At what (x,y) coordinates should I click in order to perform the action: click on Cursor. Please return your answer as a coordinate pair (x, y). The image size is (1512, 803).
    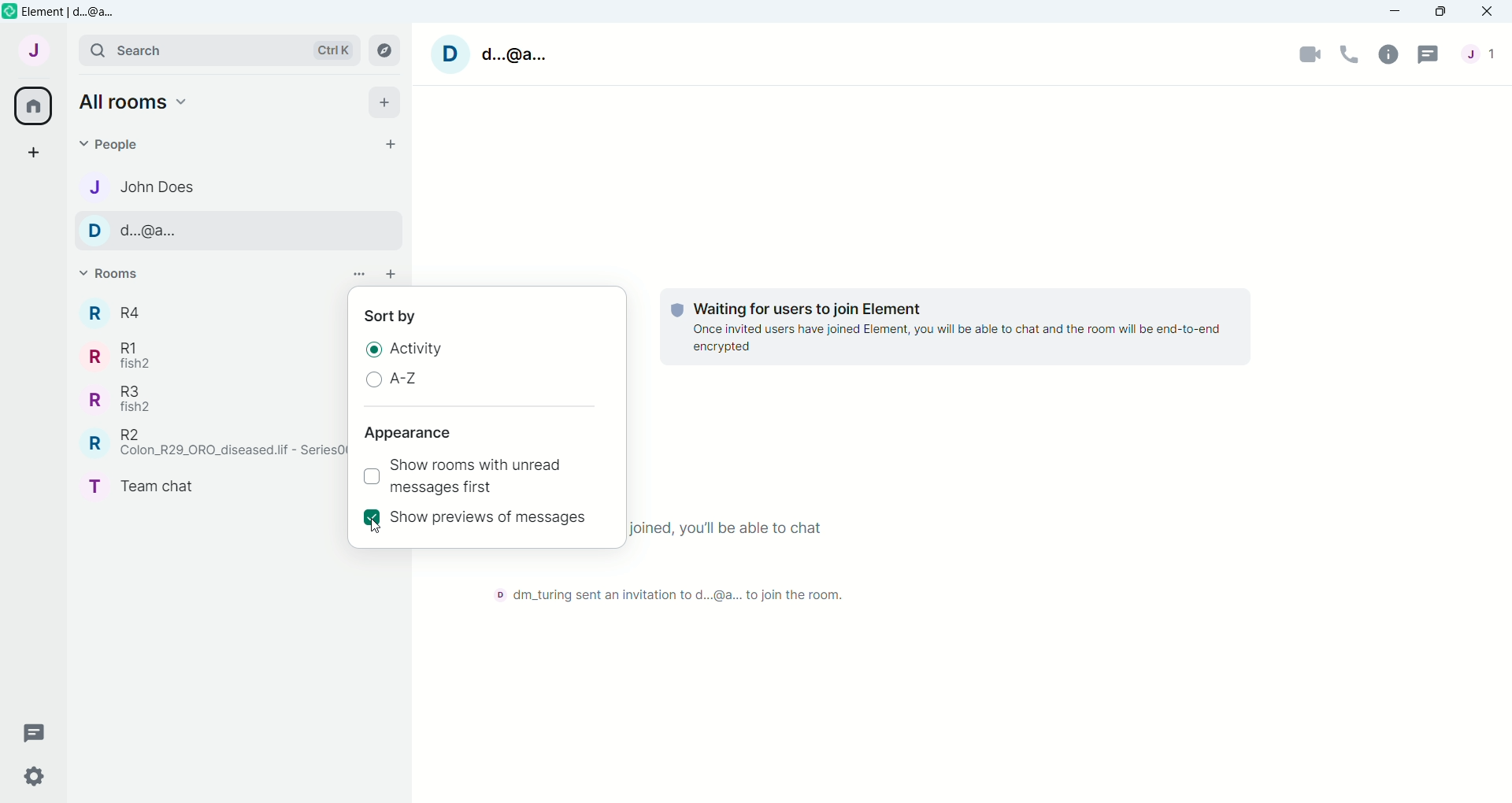
    Looking at the image, I should click on (374, 526).